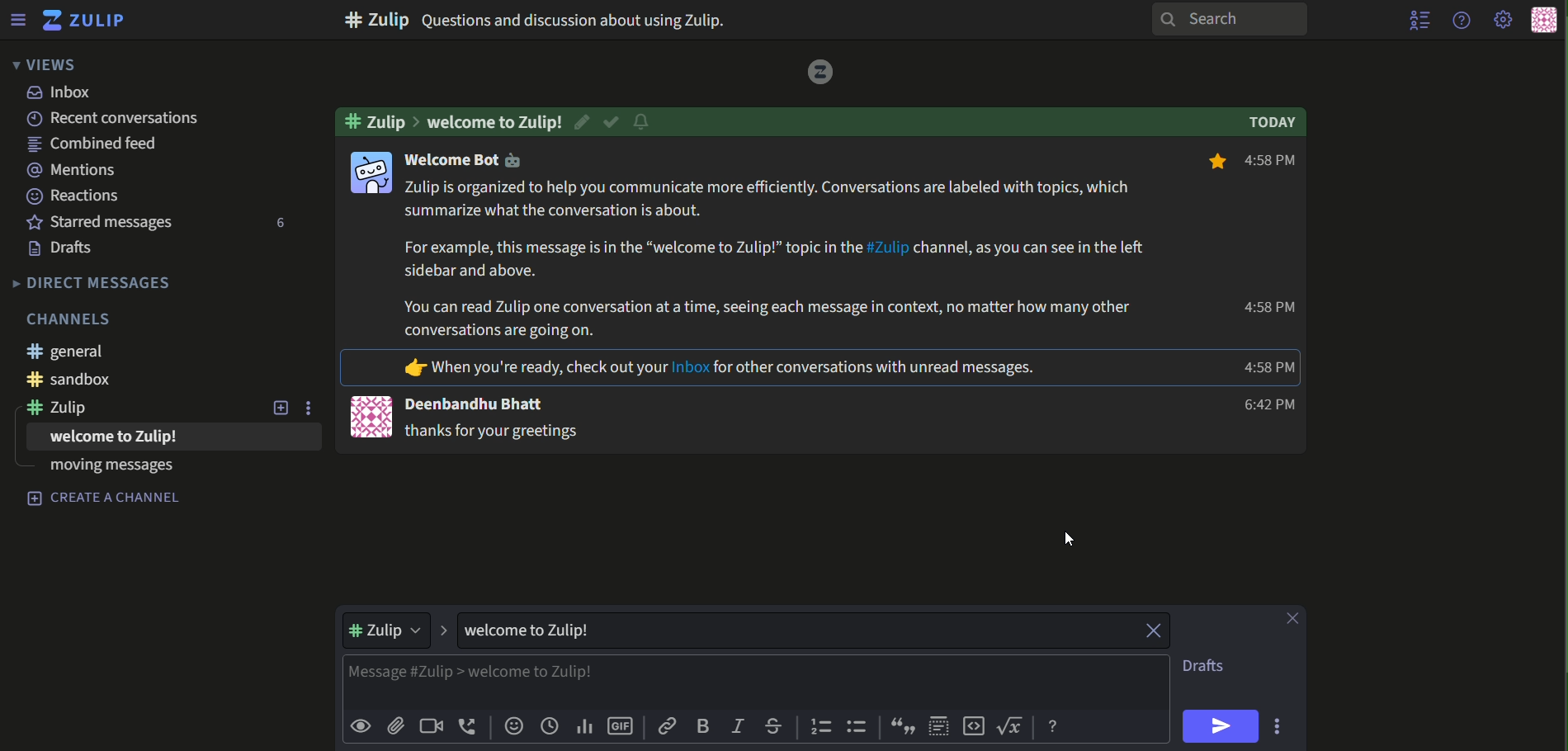 The height and width of the screenshot is (751, 1568). What do you see at coordinates (100, 441) in the screenshot?
I see `text` at bounding box center [100, 441].